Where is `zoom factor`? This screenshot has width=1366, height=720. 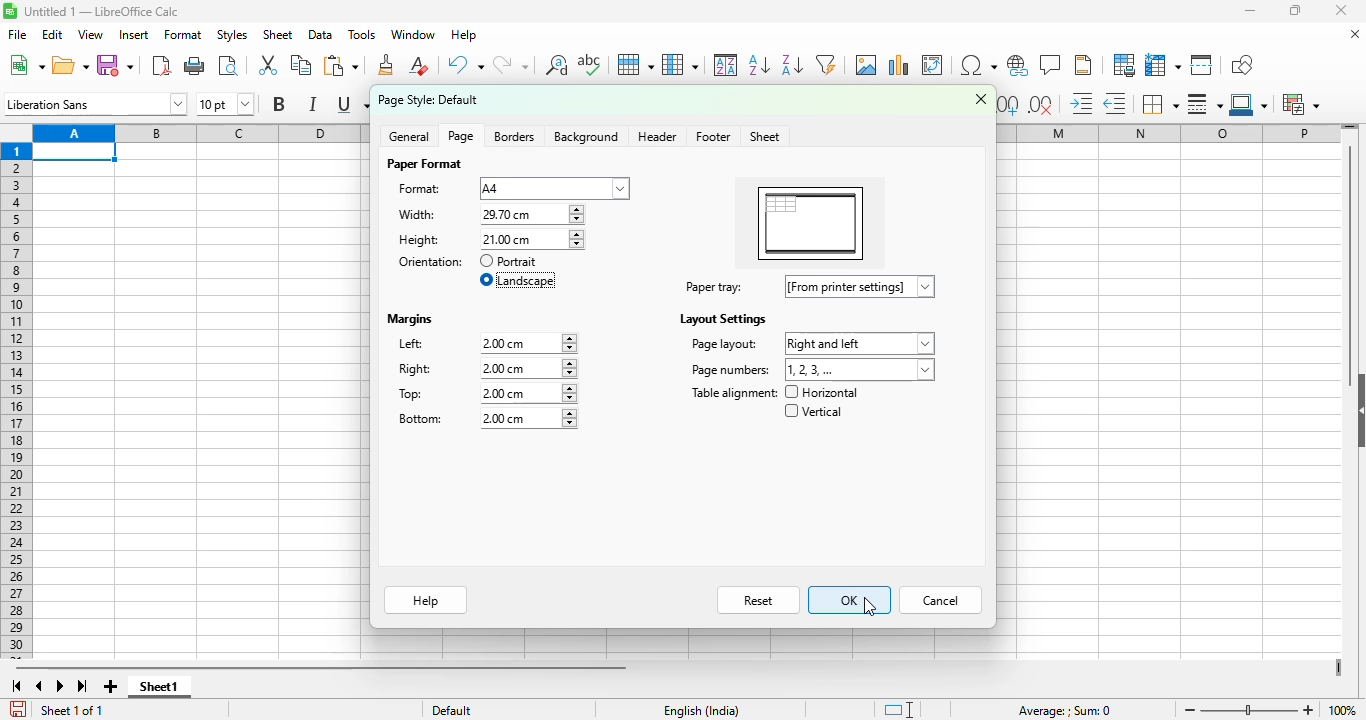
zoom factor is located at coordinates (1344, 709).